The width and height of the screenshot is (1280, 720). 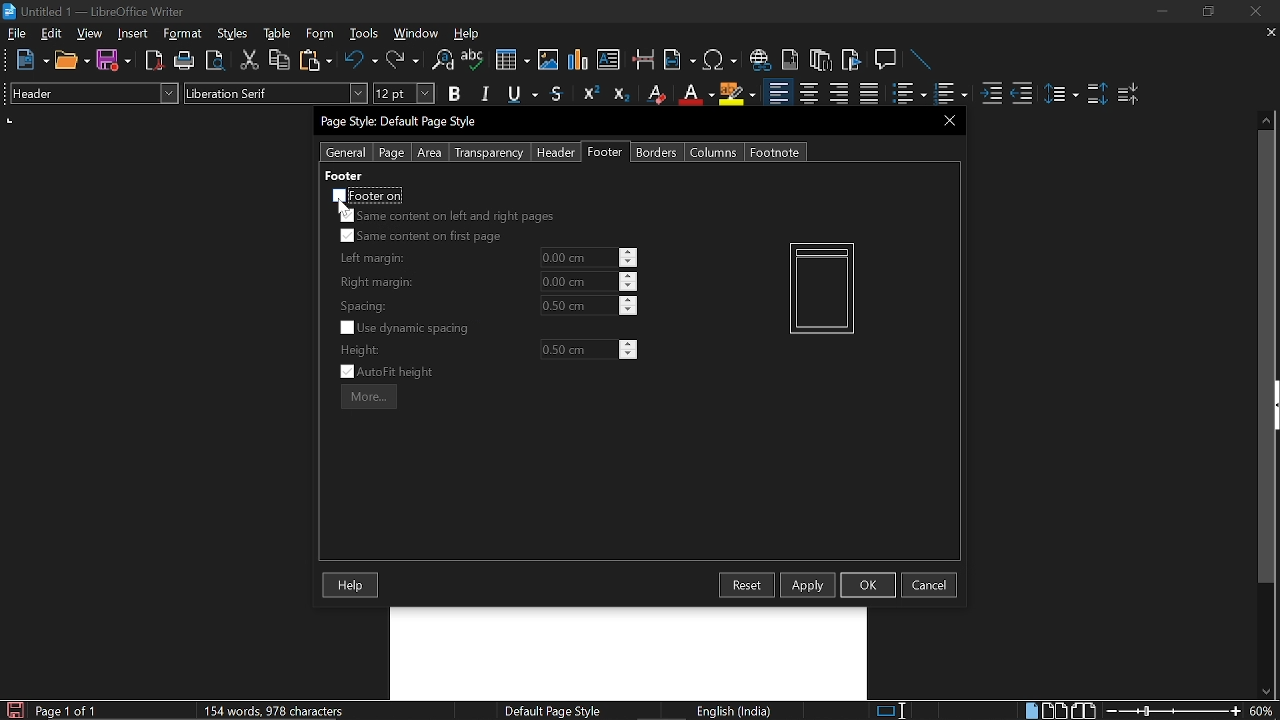 What do you see at coordinates (738, 93) in the screenshot?
I see `Highlight` at bounding box center [738, 93].